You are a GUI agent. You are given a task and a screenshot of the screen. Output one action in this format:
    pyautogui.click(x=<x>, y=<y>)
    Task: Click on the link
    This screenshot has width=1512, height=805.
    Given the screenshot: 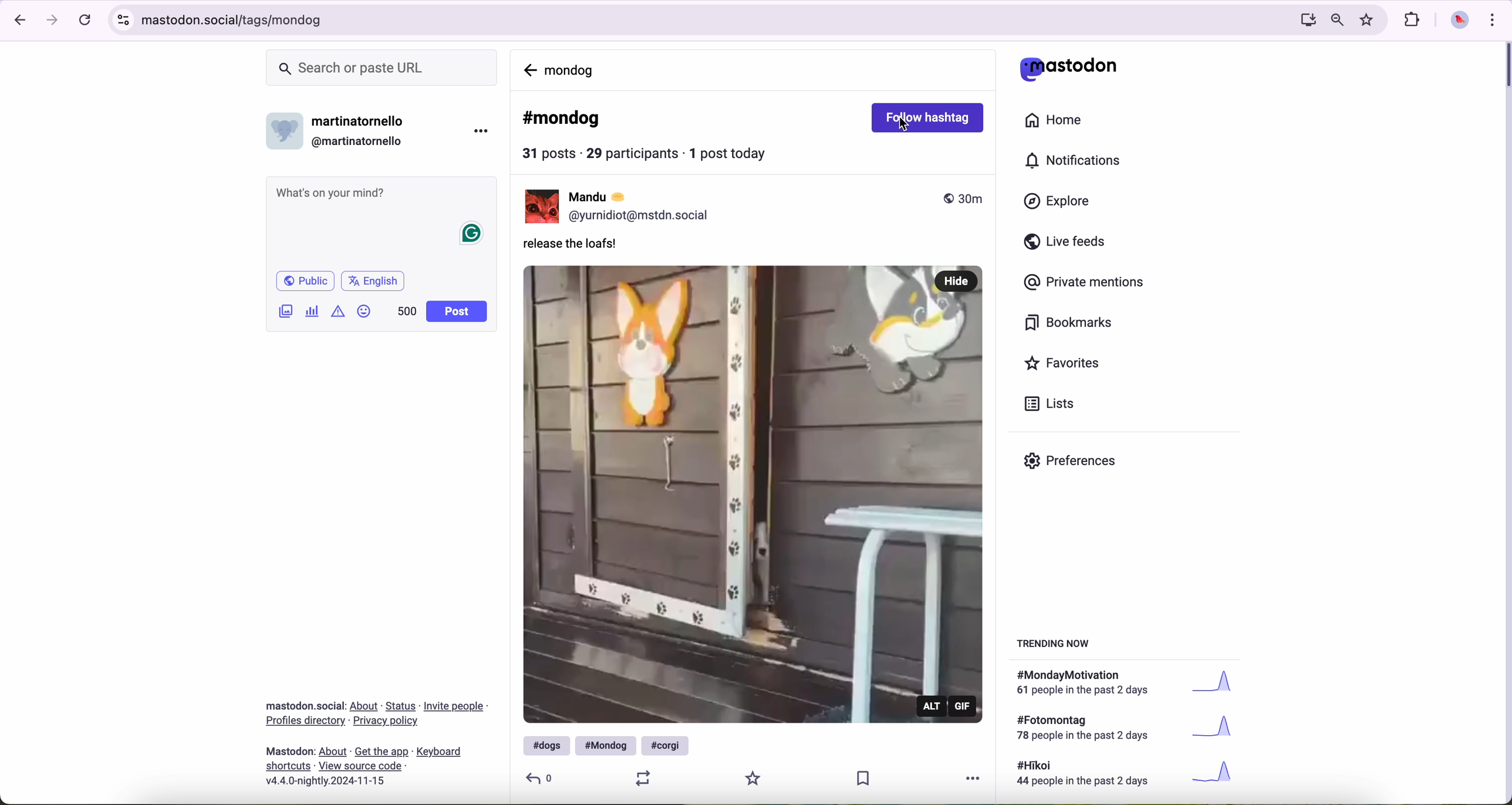 What is the action you would take?
    pyautogui.click(x=365, y=706)
    